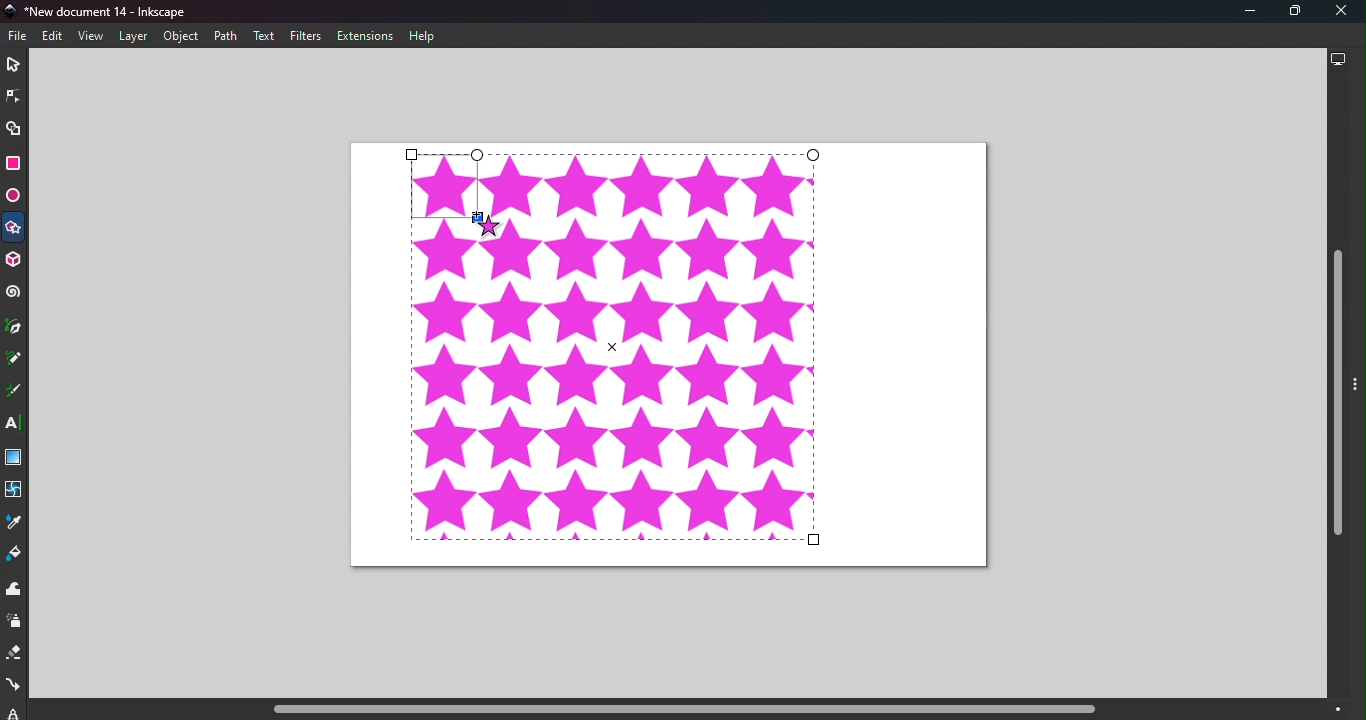 This screenshot has width=1366, height=720. I want to click on Extensions, so click(369, 36).